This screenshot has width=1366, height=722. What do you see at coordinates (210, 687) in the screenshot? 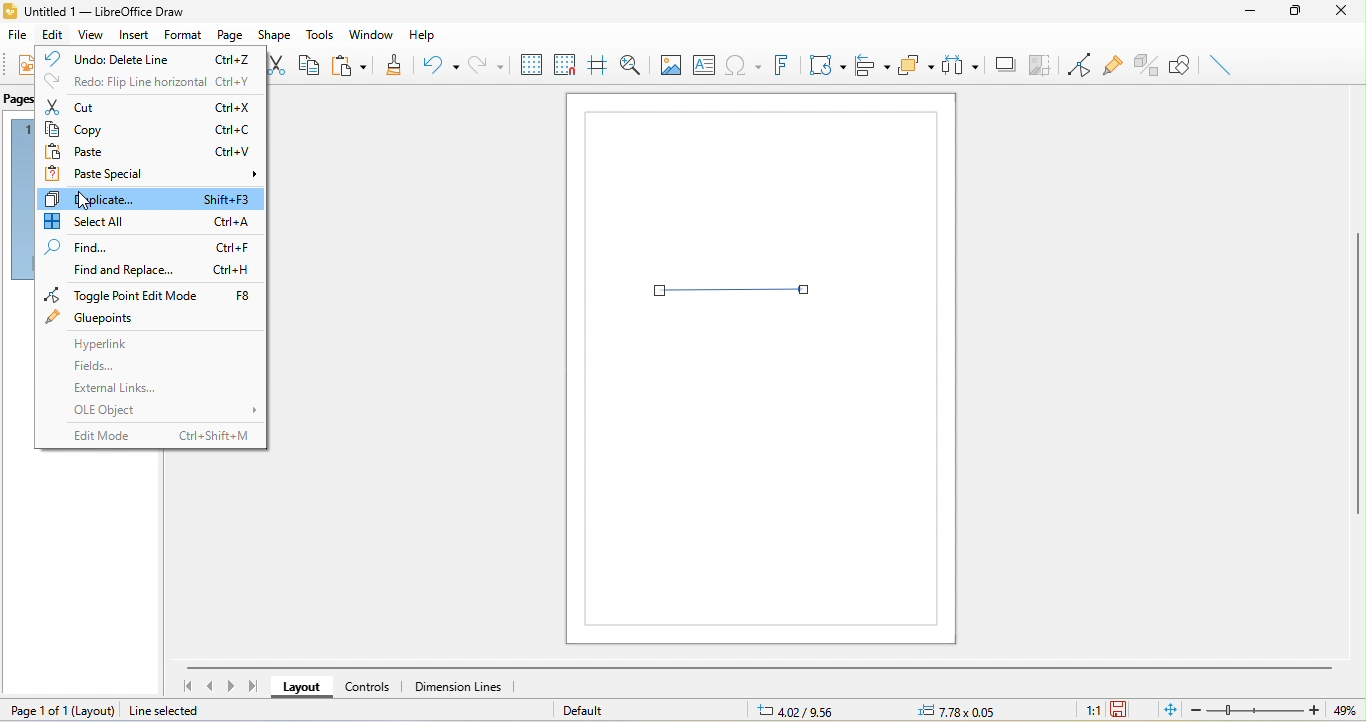
I see `previous page` at bounding box center [210, 687].